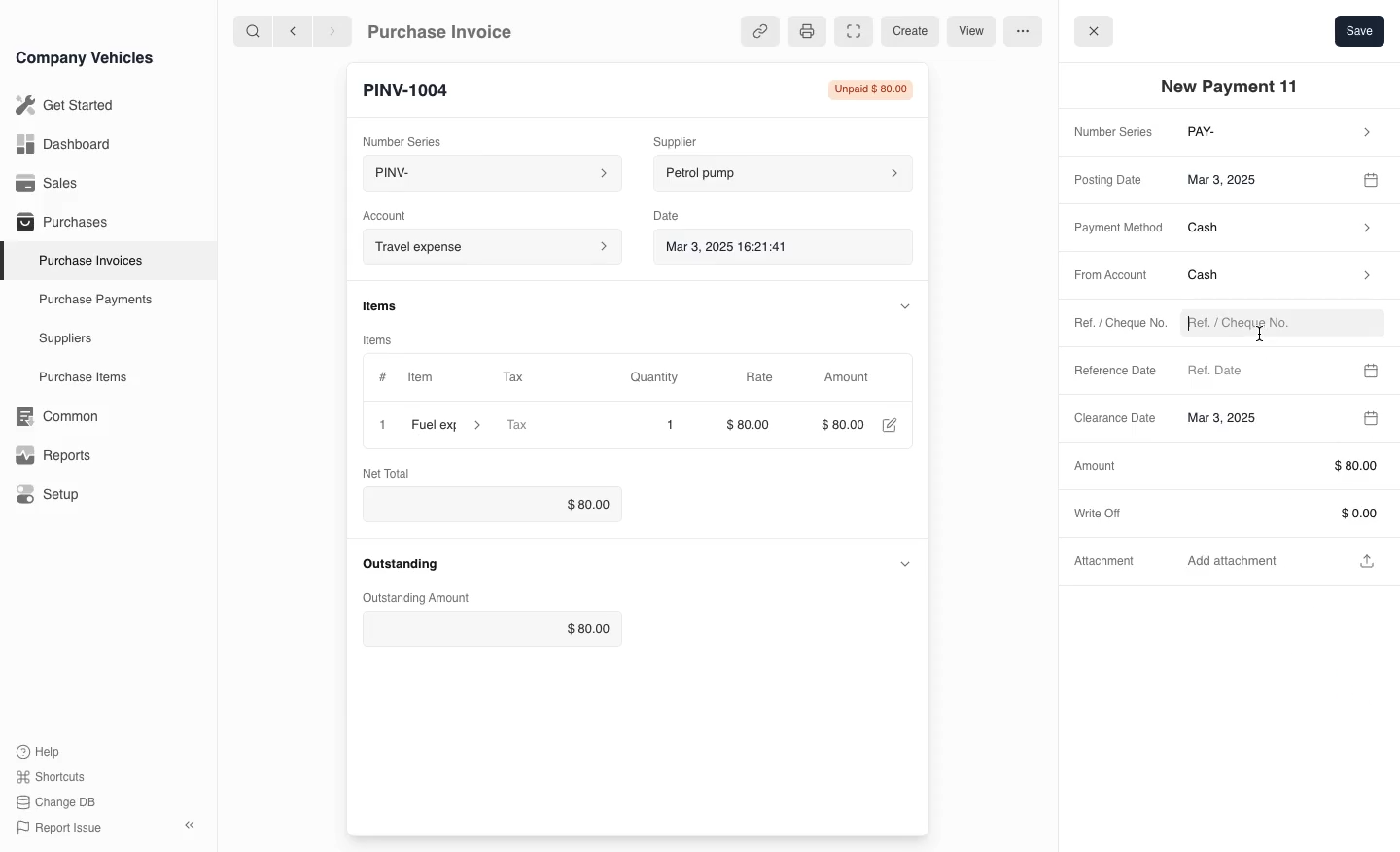 This screenshot has width=1400, height=852. Describe the element at coordinates (401, 563) in the screenshot. I see `Outstanding` at that location.